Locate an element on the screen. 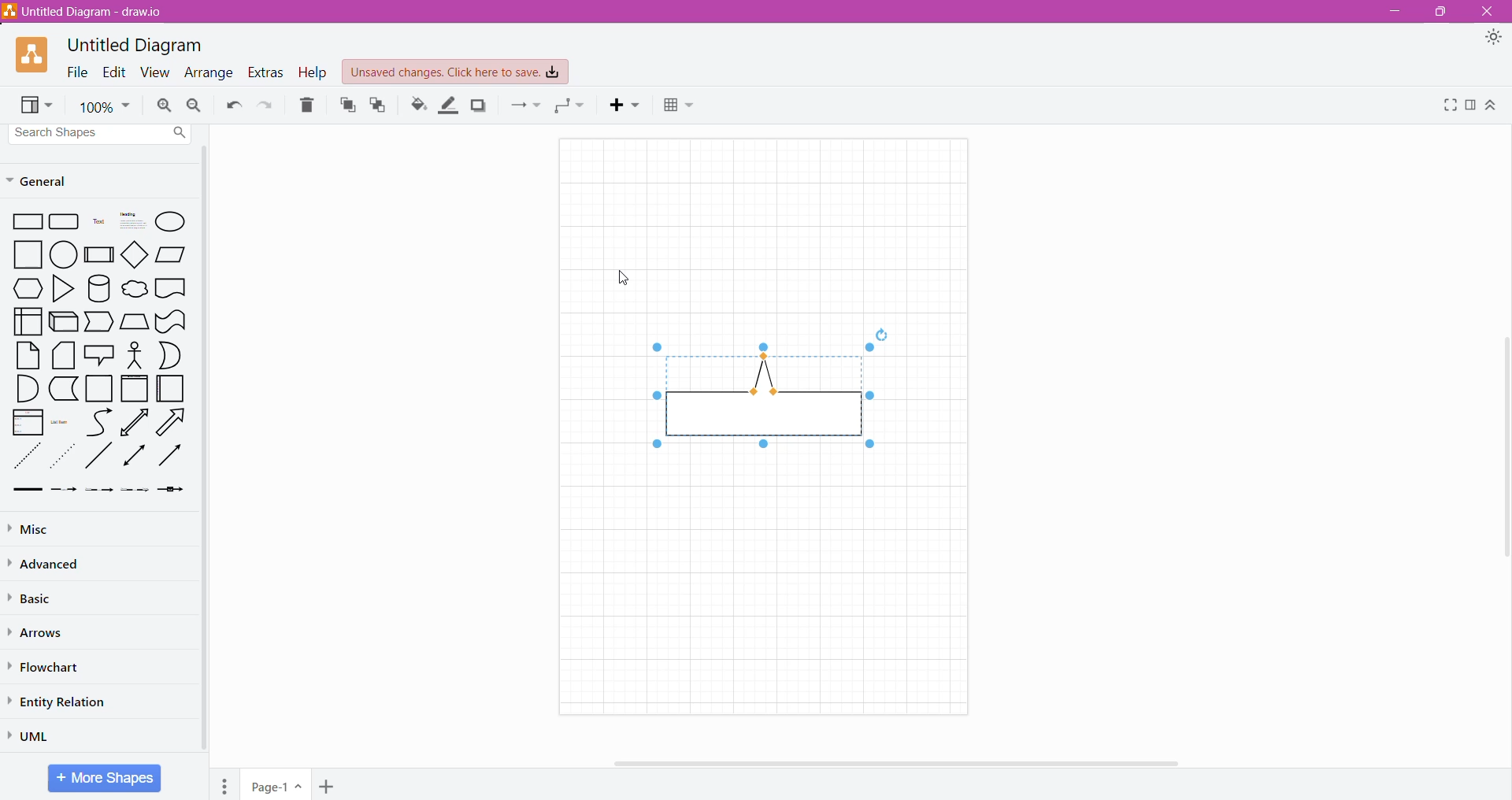  View is located at coordinates (156, 72).